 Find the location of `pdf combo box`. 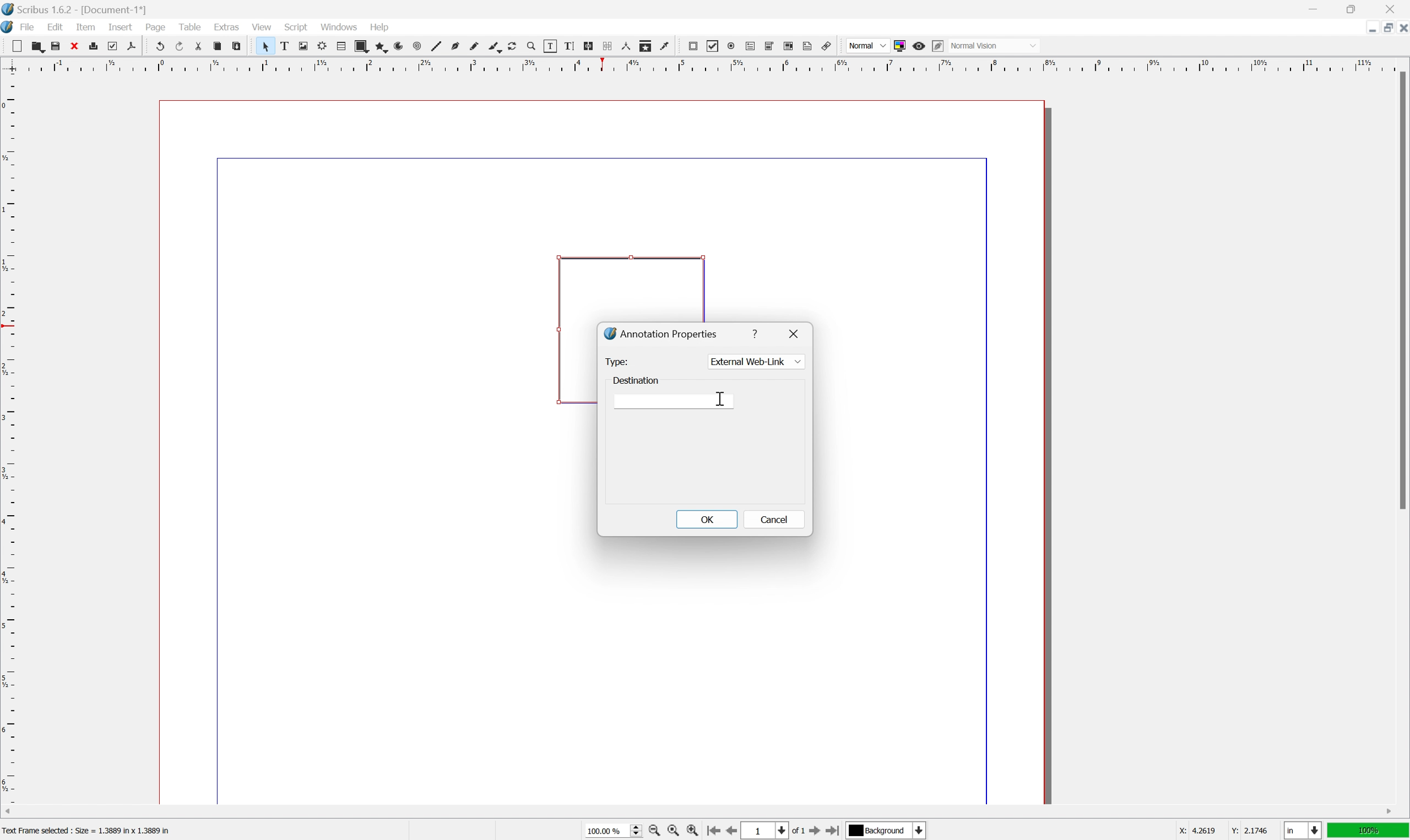

pdf combo box is located at coordinates (770, 46).